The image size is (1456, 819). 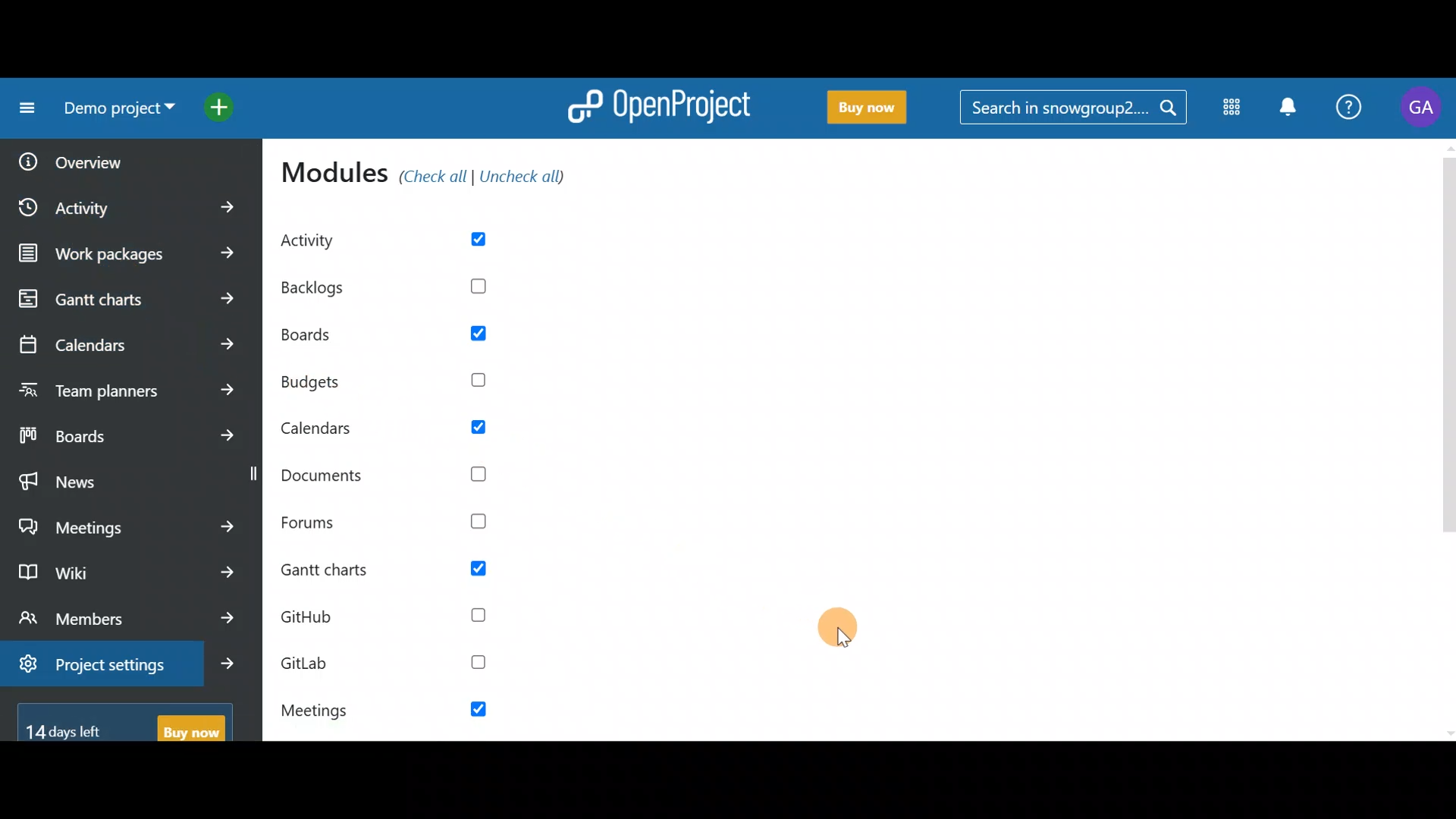 What do you see at coordinates (870, 110) in the screenshot?
I see `Buy now` at bounding box center [870, 110].